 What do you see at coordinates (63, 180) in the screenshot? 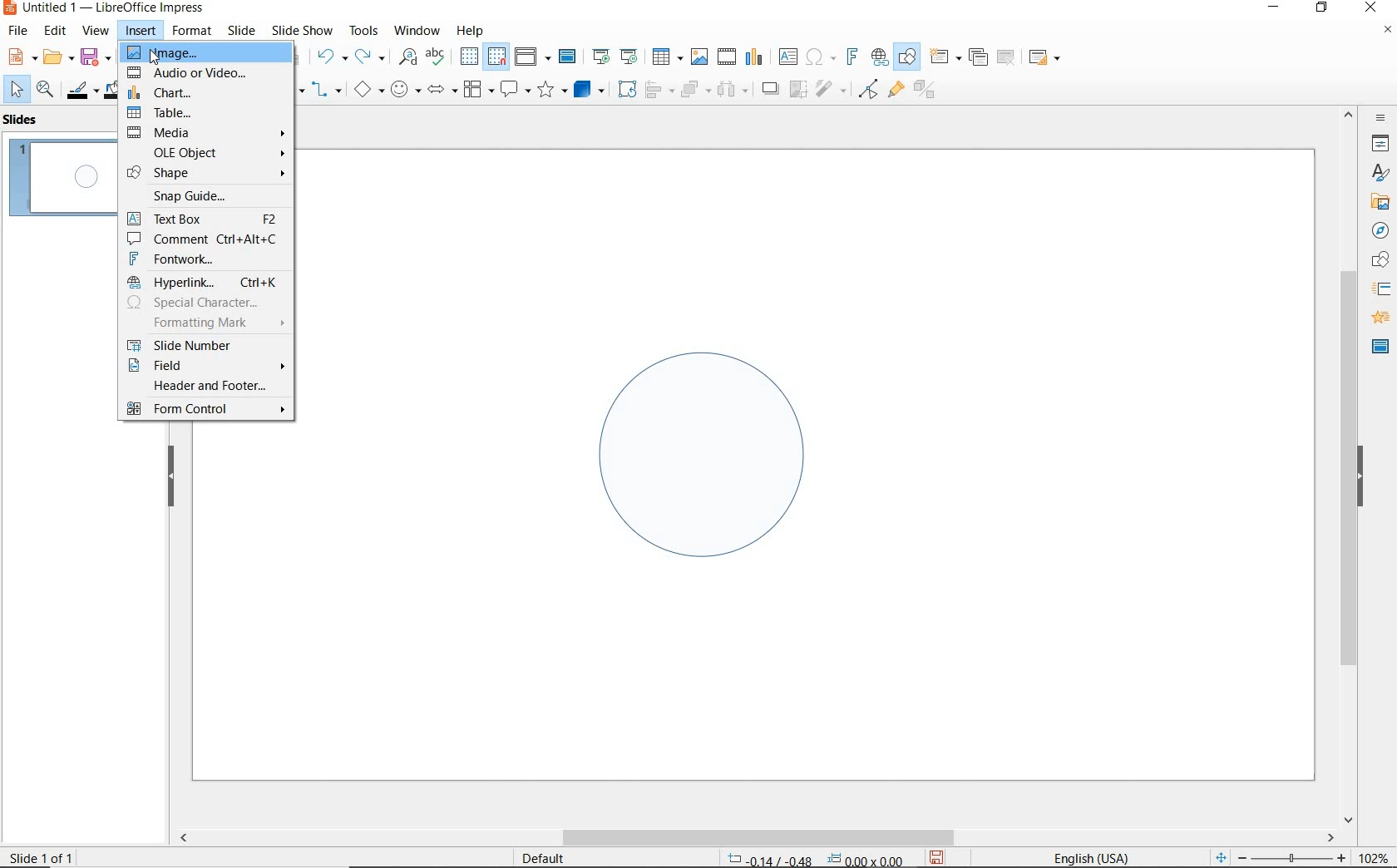
I see `slide 1` at bounding box center [63, 180].